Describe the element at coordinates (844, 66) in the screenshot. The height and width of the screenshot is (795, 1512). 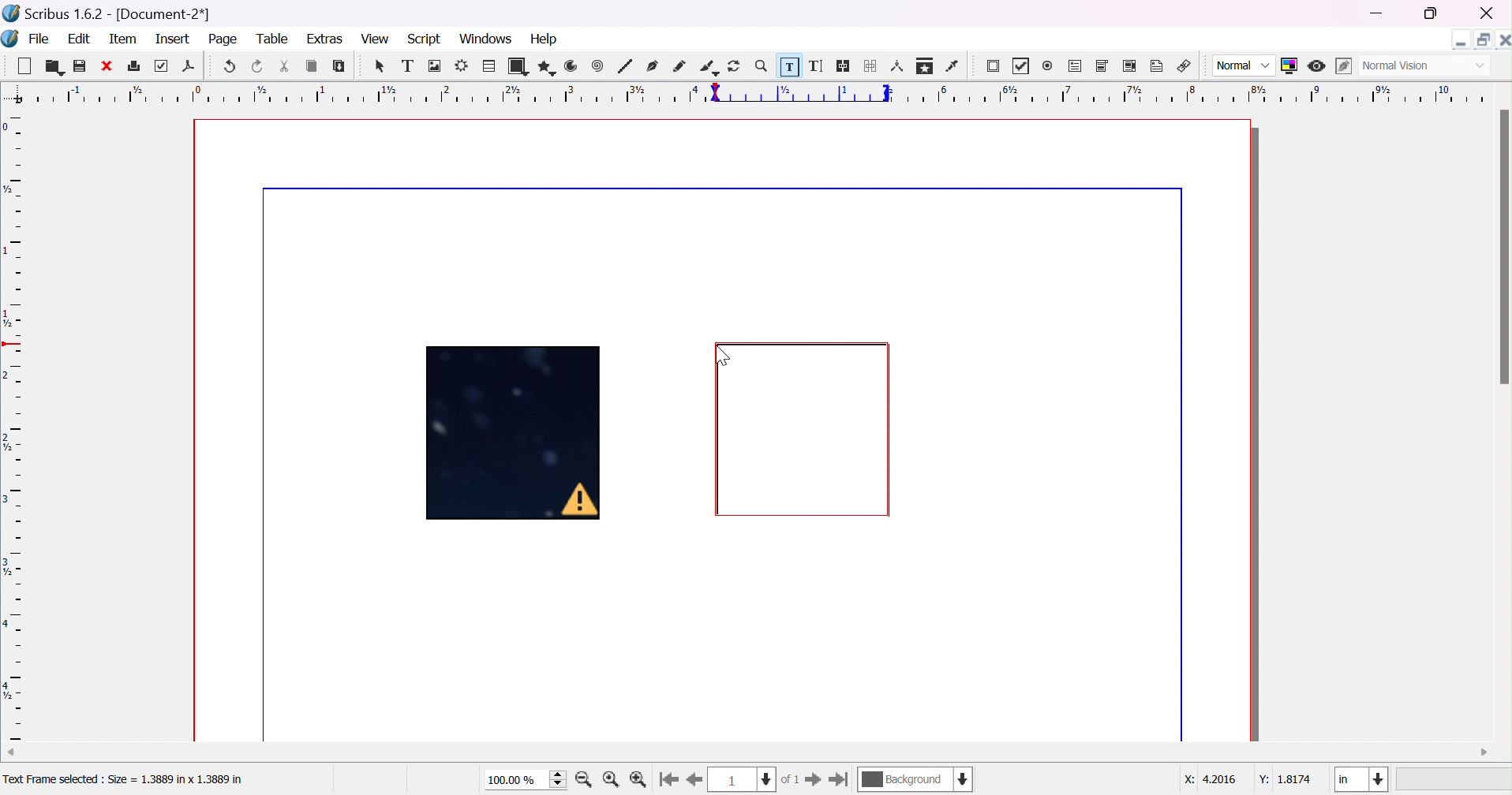
I see `link text frames` at that location.